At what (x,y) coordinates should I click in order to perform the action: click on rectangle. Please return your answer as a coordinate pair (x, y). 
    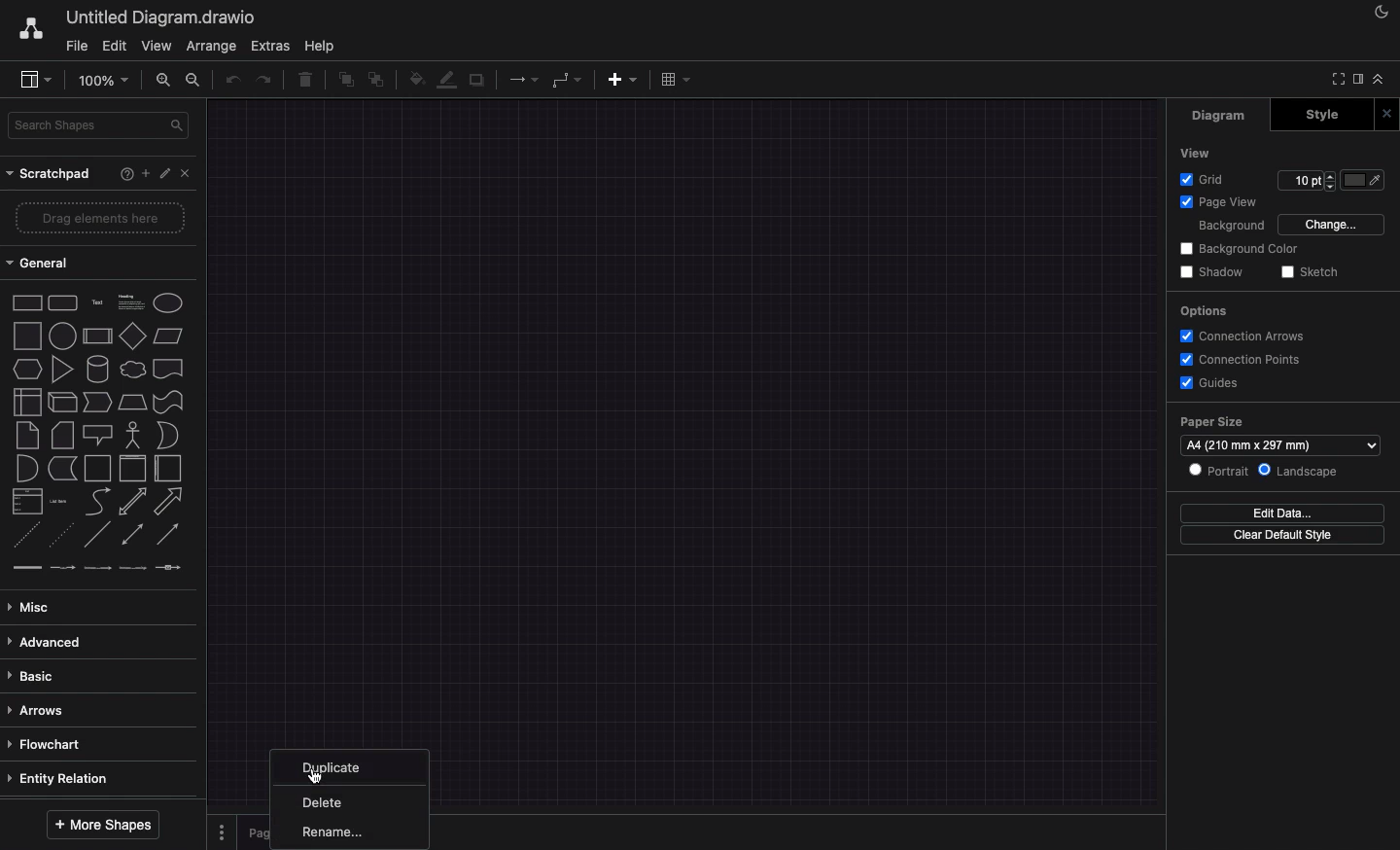
    Looking at the image, I should click on (28, 303).